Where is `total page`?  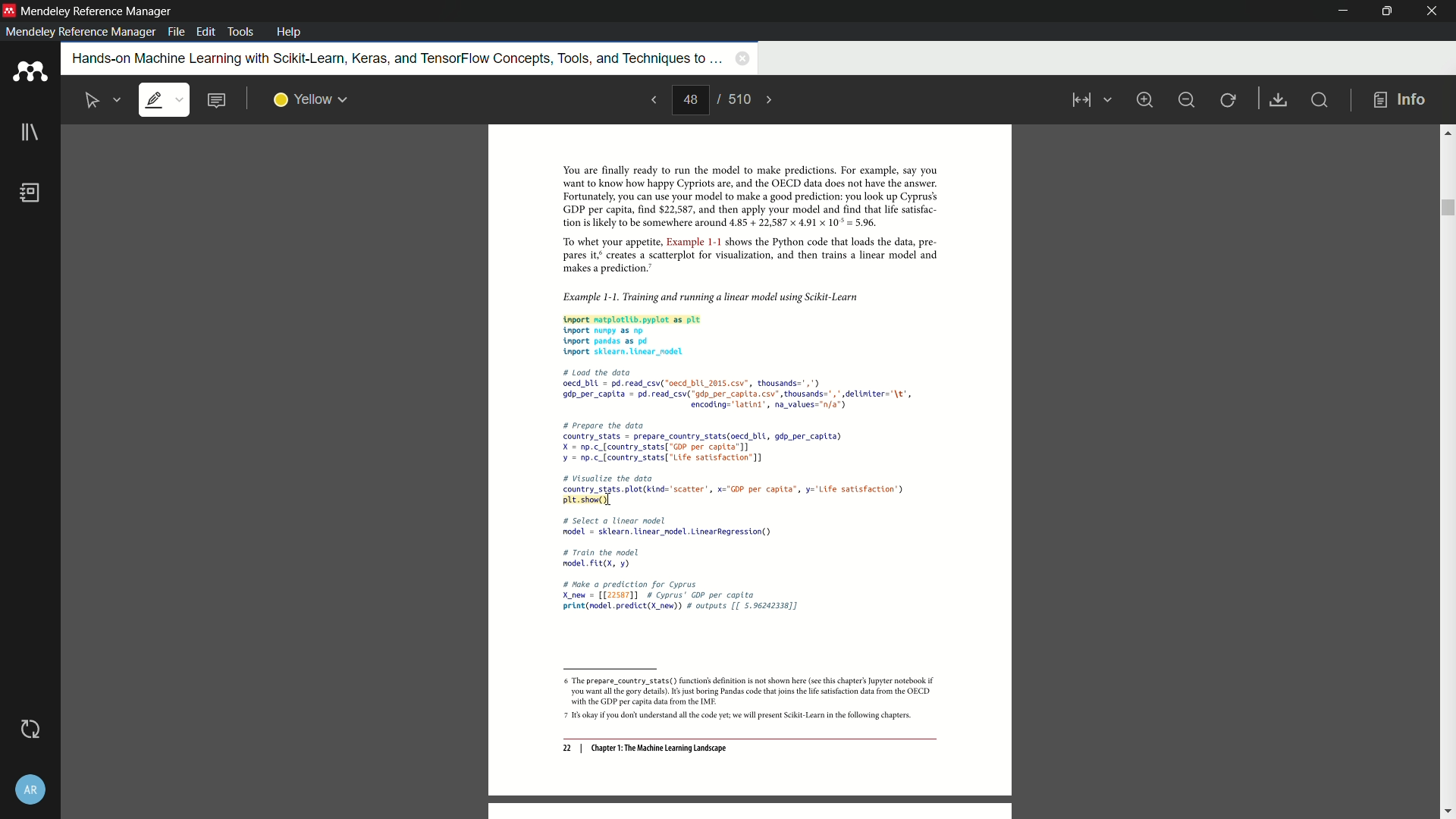 total page is located at coordinates (738, 99).